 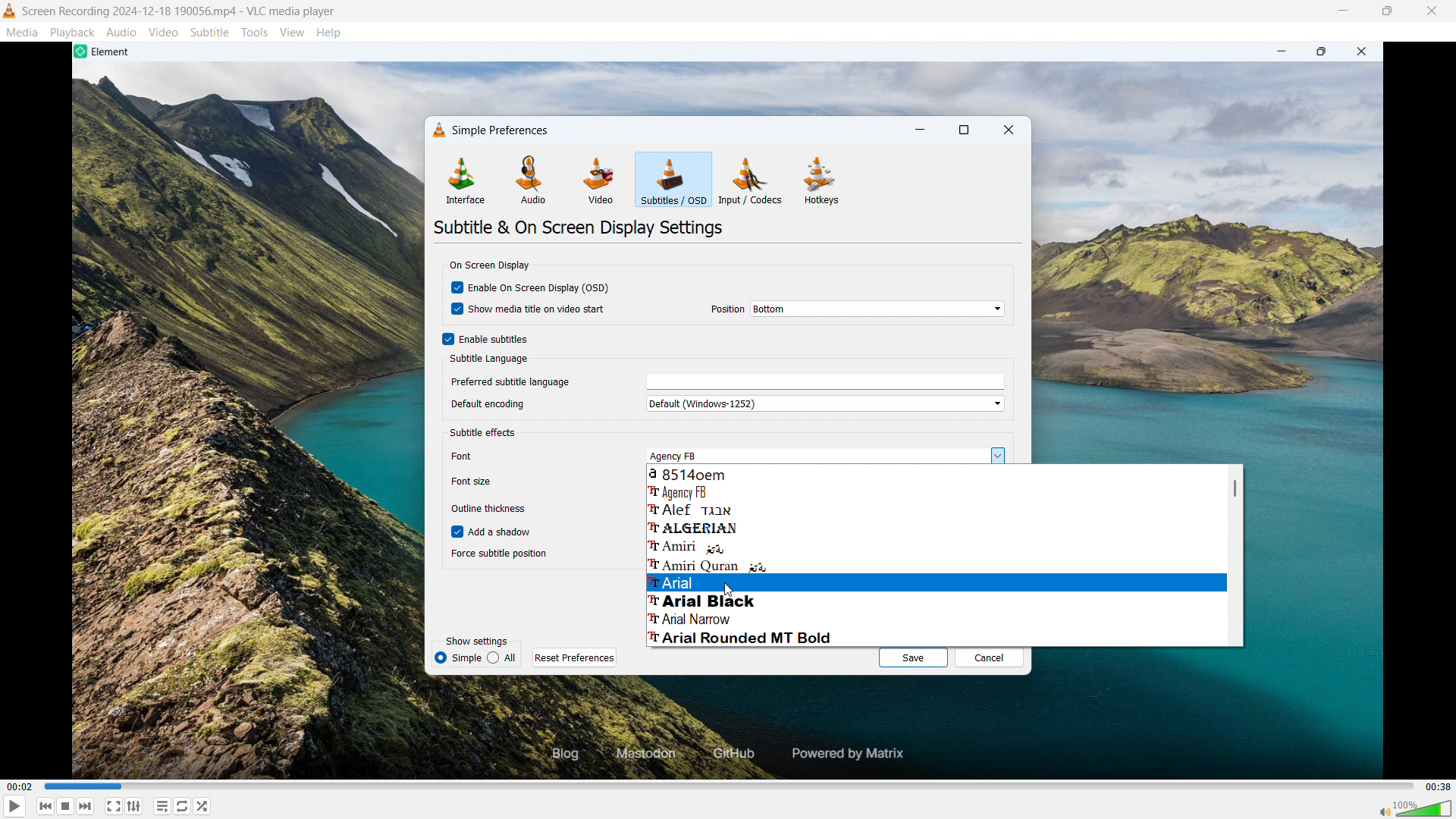 What do you see at coordinates (936, 564) in the screenshot?
I see `amiri quran` at bounding box center [936, 564].